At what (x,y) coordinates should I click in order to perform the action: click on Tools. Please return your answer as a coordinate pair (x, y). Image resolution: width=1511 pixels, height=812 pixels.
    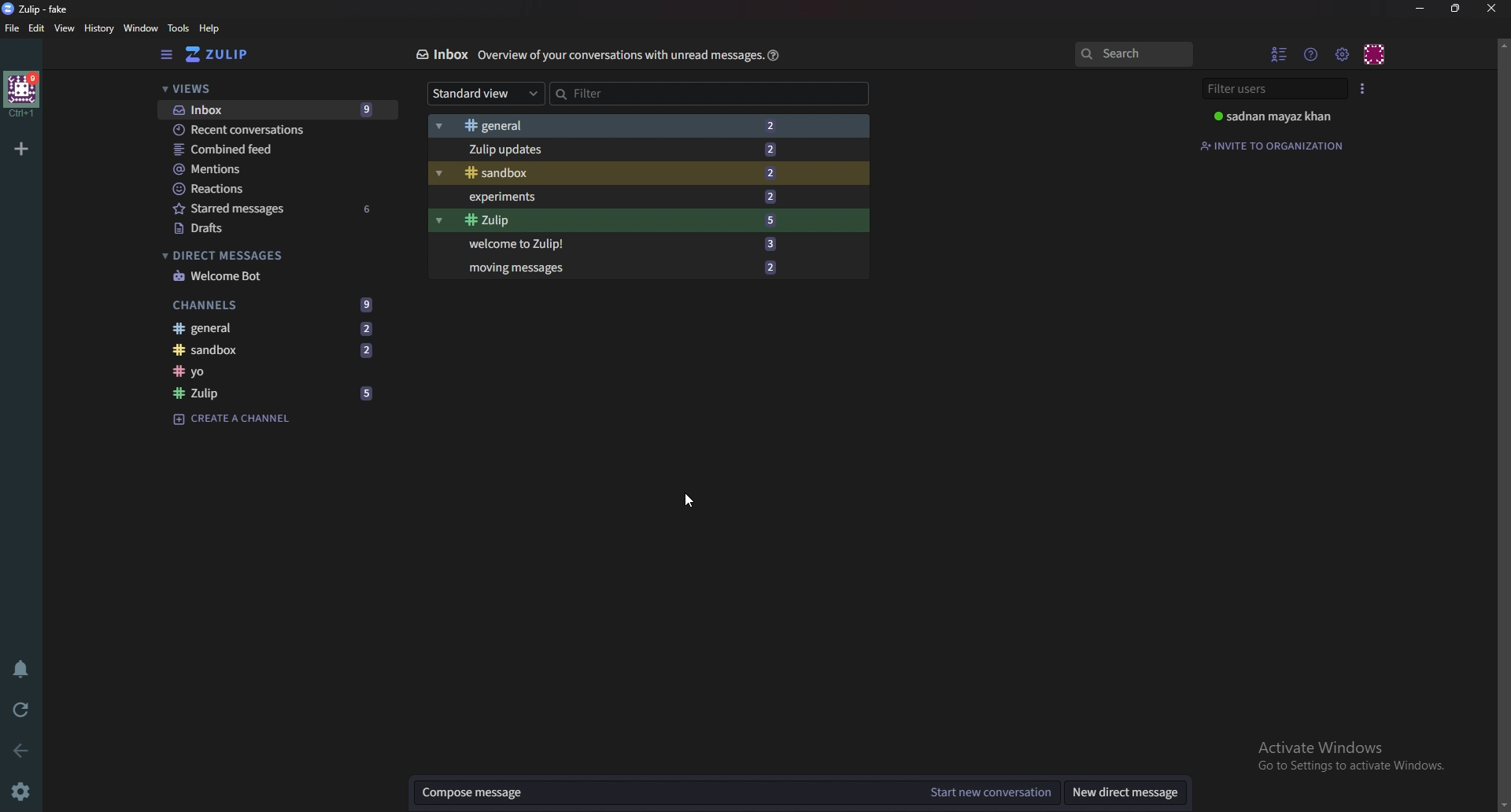
    Looking at the image, I should click on (179, 28).